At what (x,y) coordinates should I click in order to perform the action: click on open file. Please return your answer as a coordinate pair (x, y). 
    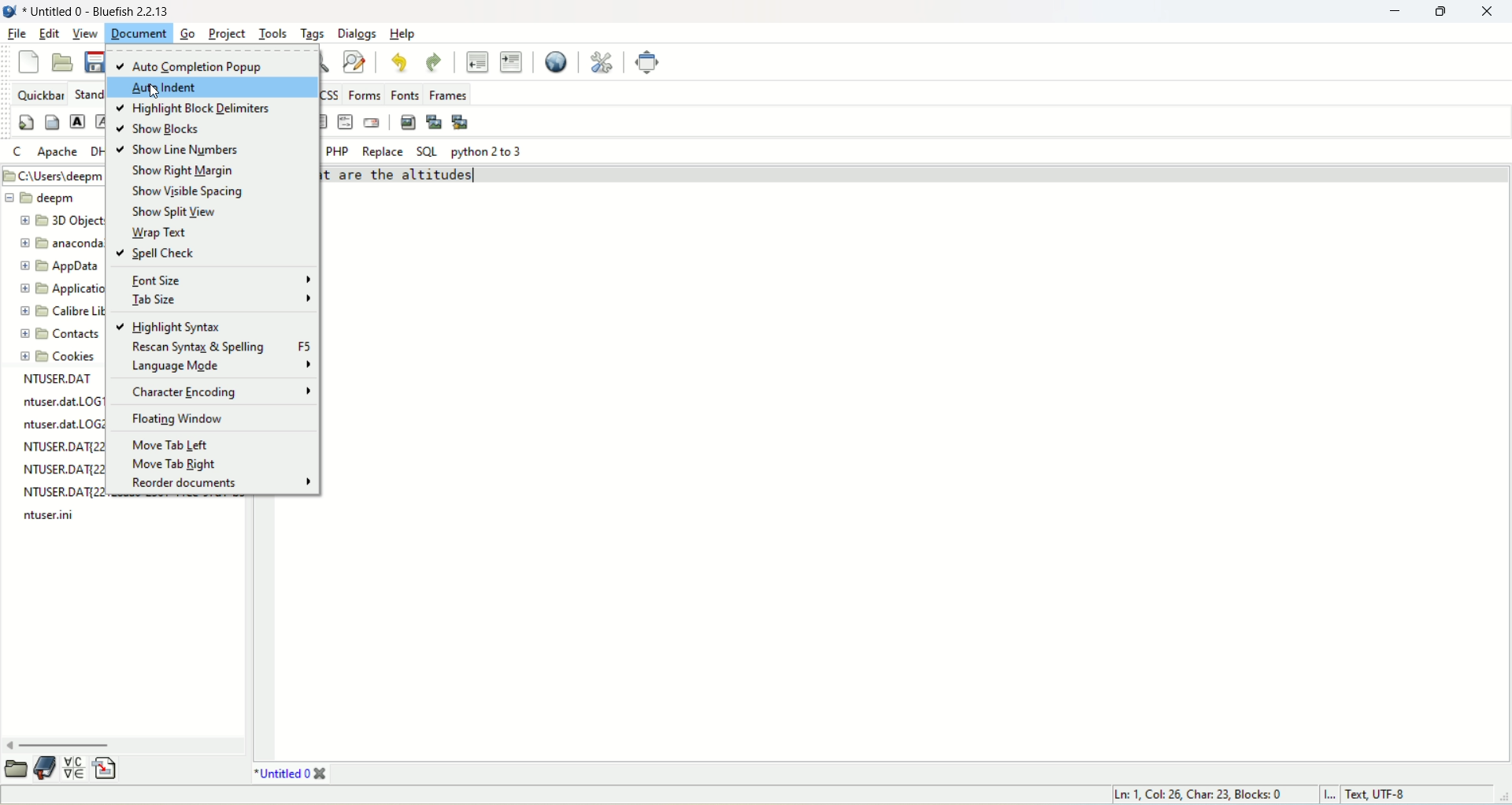
    Looking at the image, I should click on (63, 61).